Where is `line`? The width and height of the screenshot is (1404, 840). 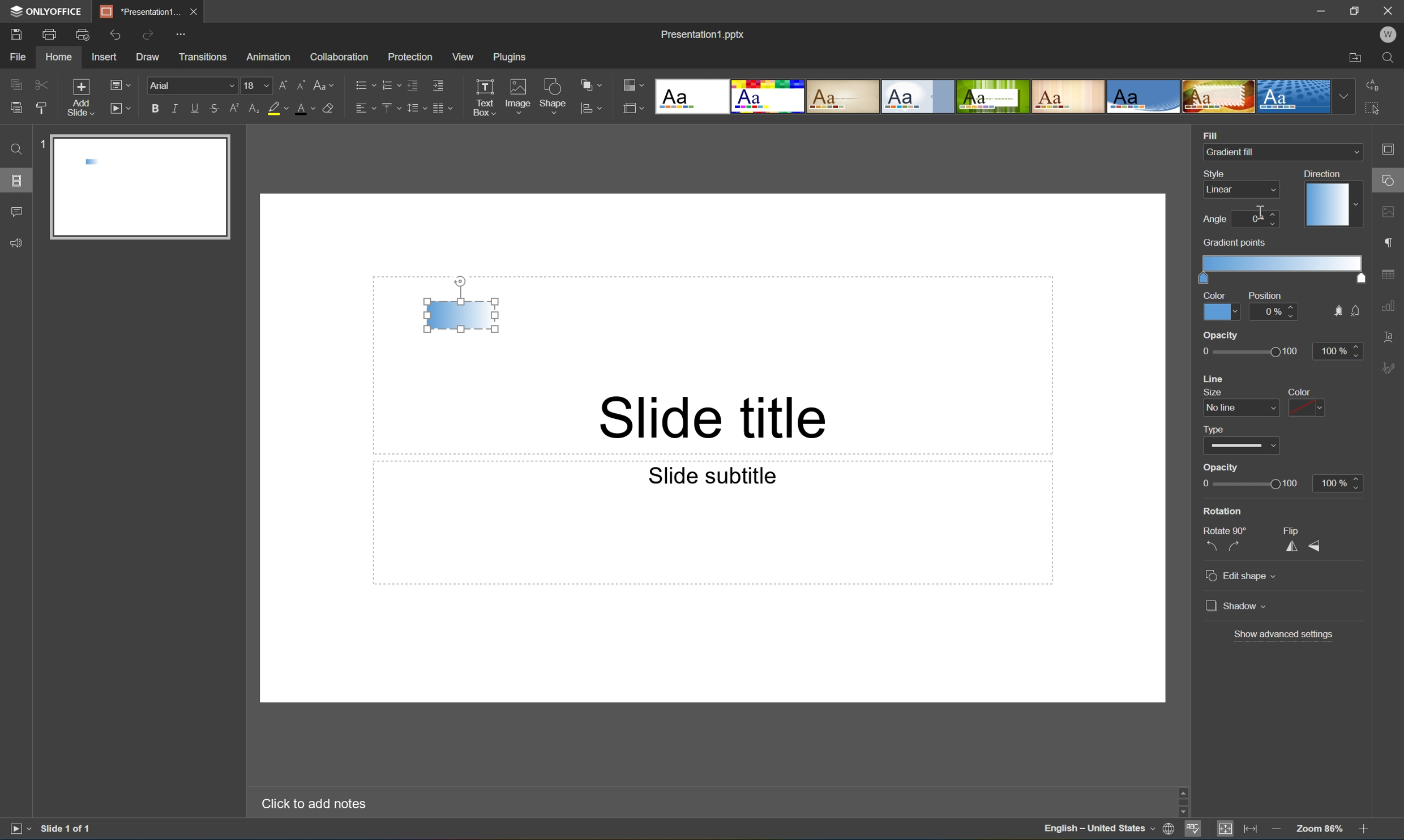
line is located at coordinates (1217, 378).